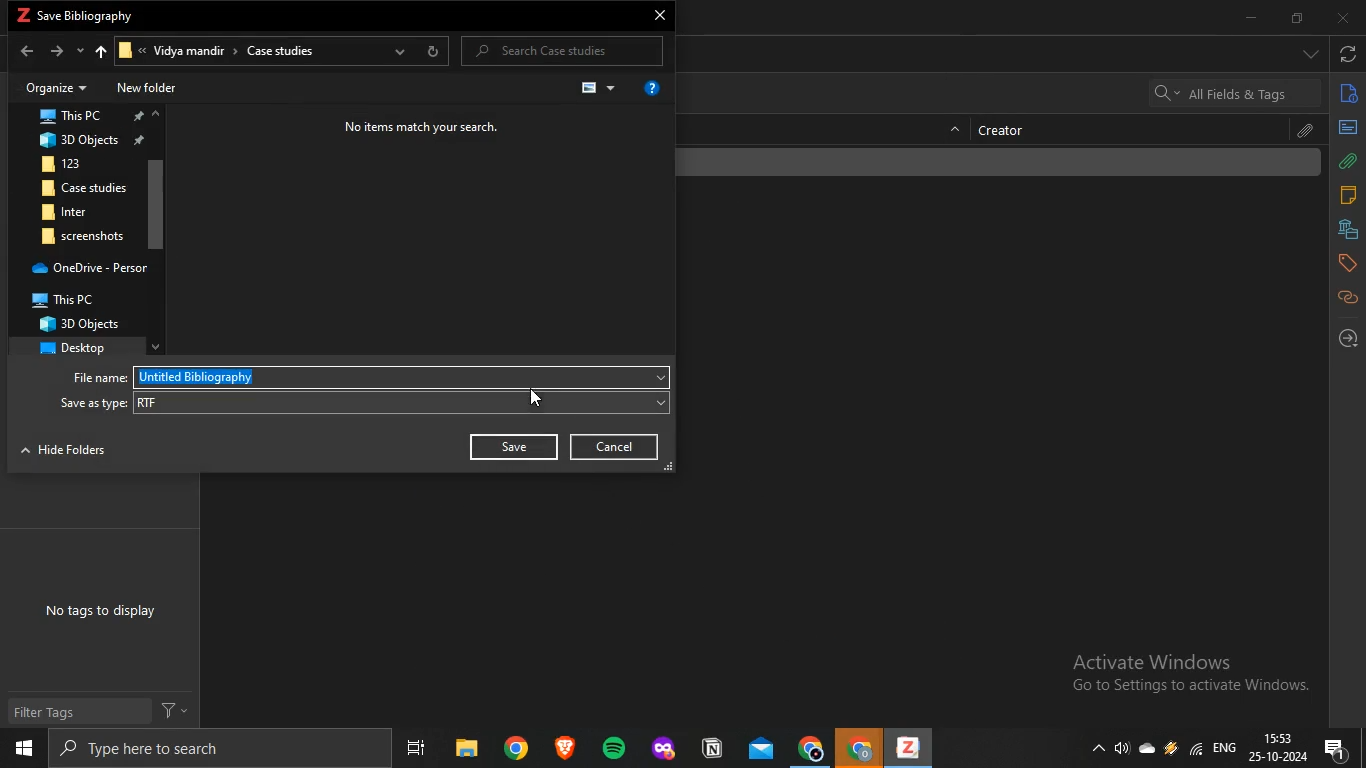 This screenshot has height=768, width=1366. What do you see at coordinates (1348, 195) in the screenshot?
I see `notes` at bounding box center [1348, 195].